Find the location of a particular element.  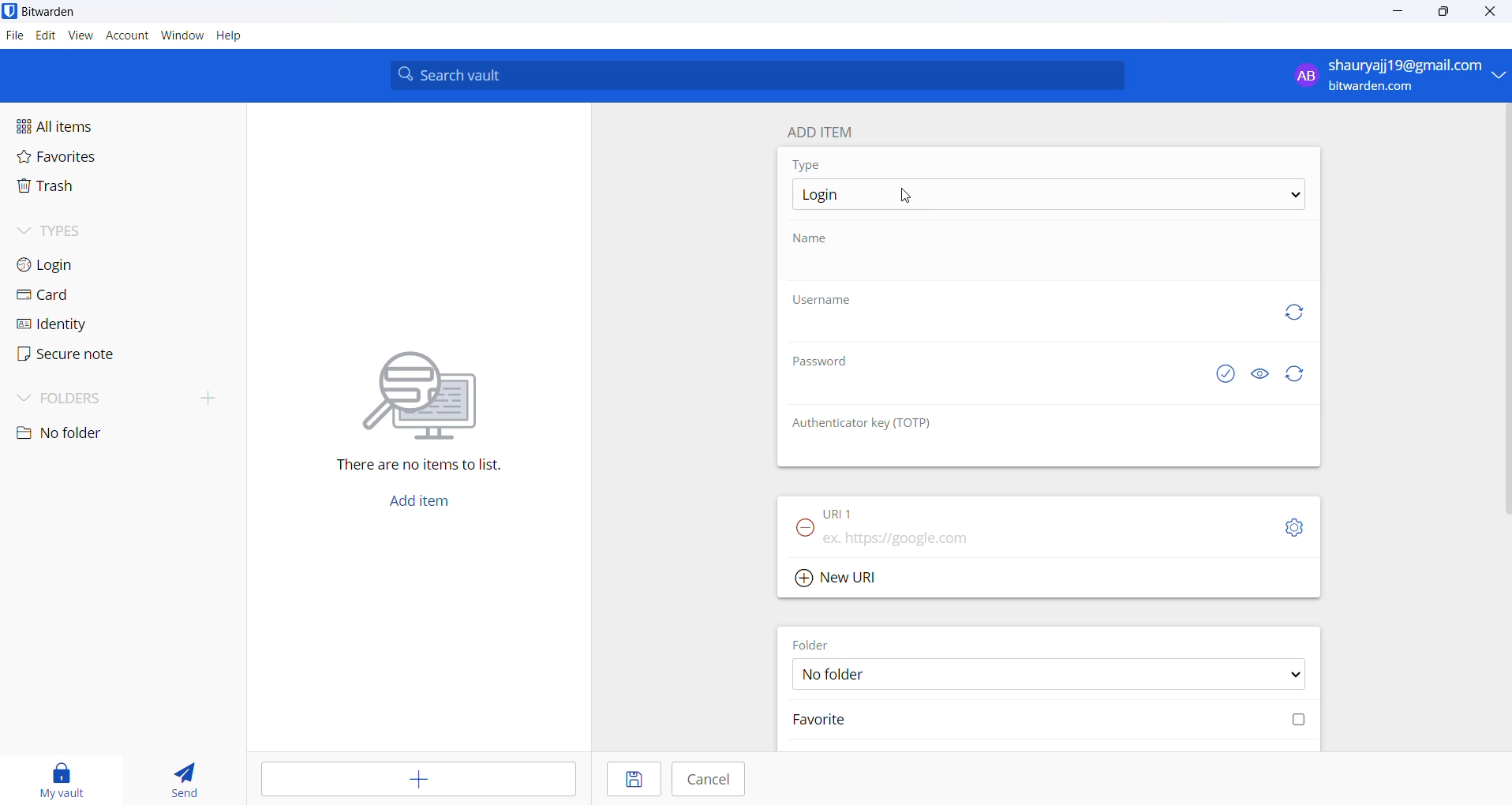

account is located at coordinates (128, 36).